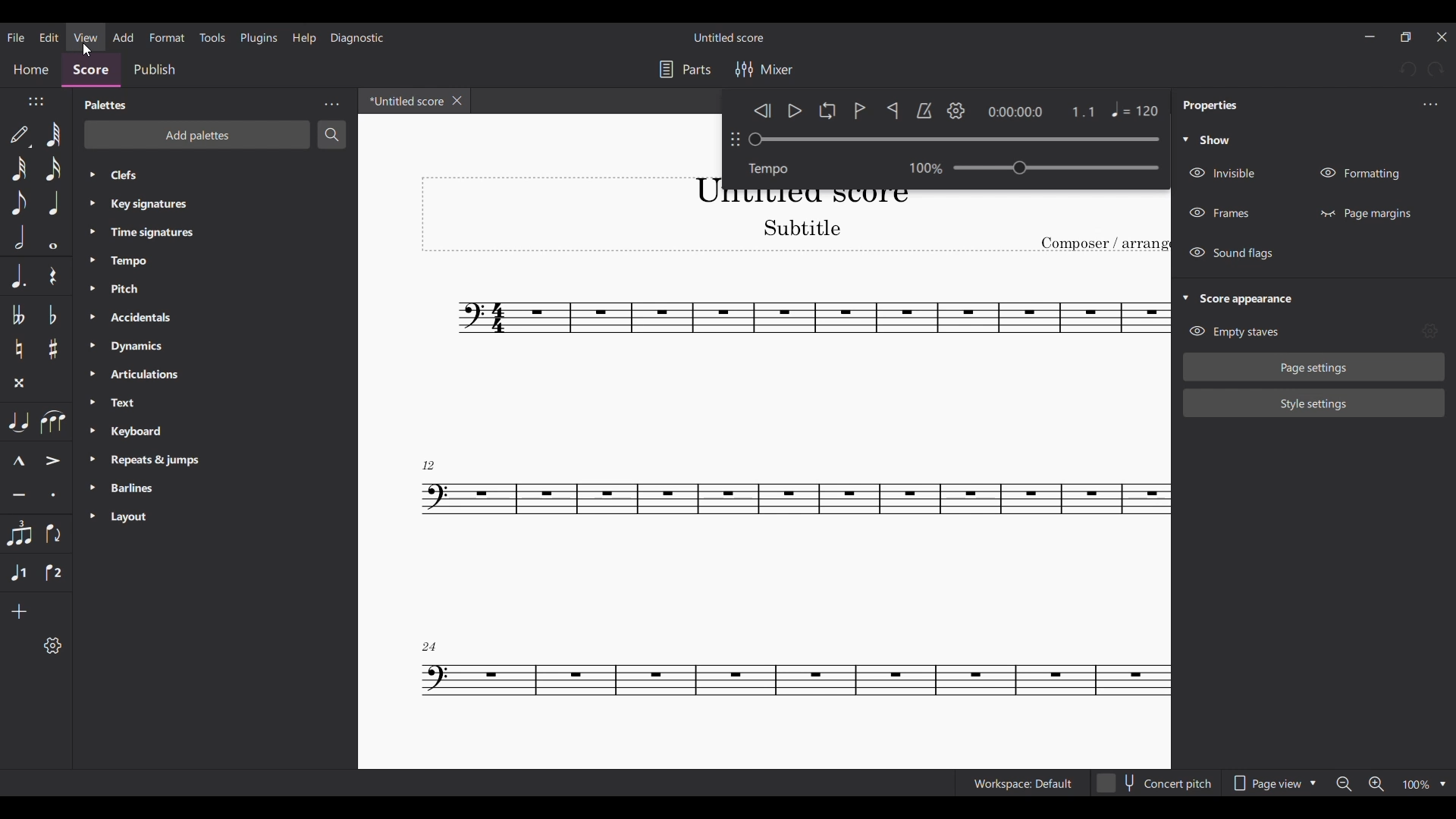 This screenshot has height=819, width=1456. Describe the element at coordinates (1226, 173) in the screenshot. I see `Invisible` at that location.